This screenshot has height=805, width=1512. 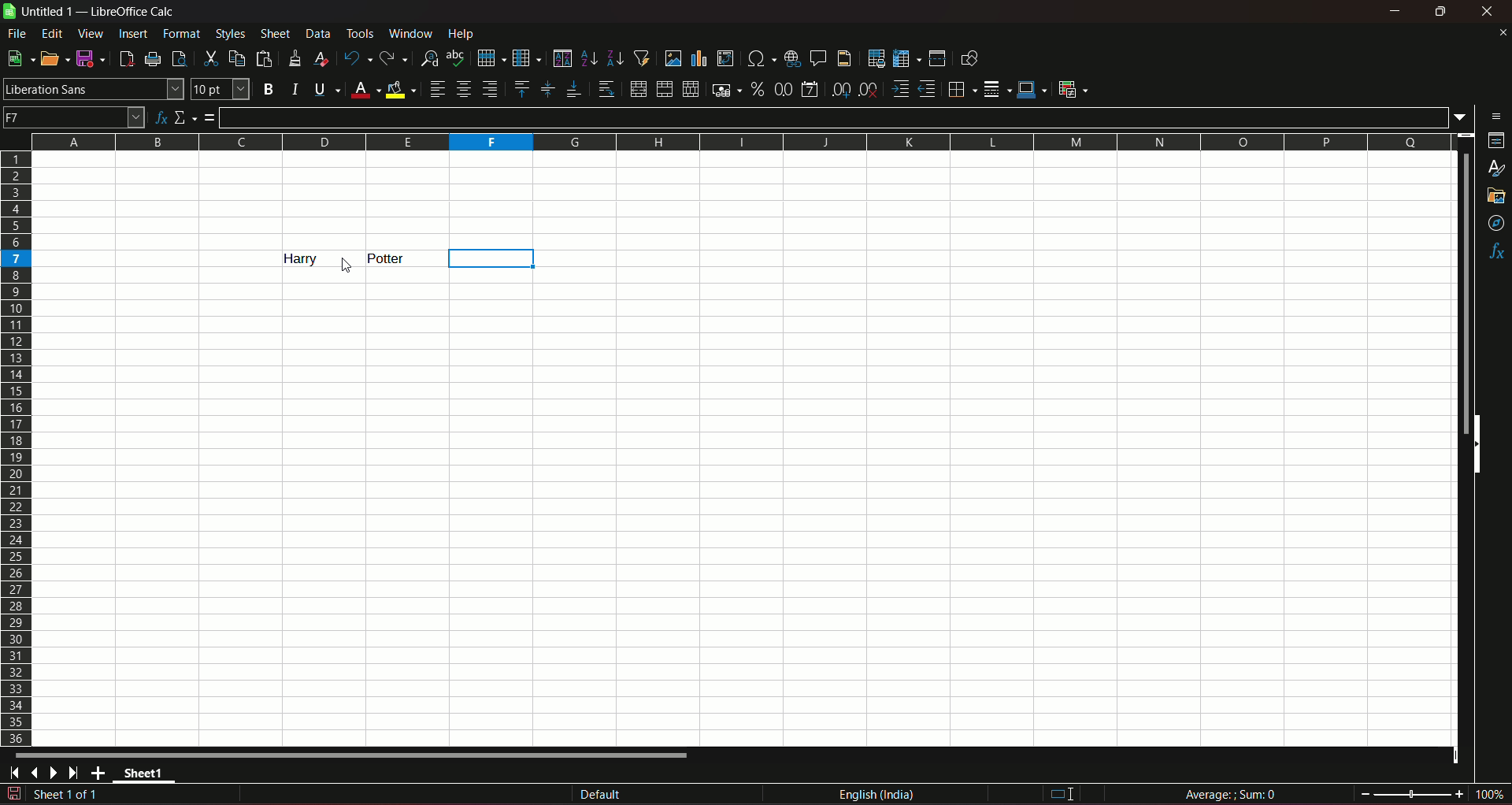 I want to click on view, so click(x=91, y=34).